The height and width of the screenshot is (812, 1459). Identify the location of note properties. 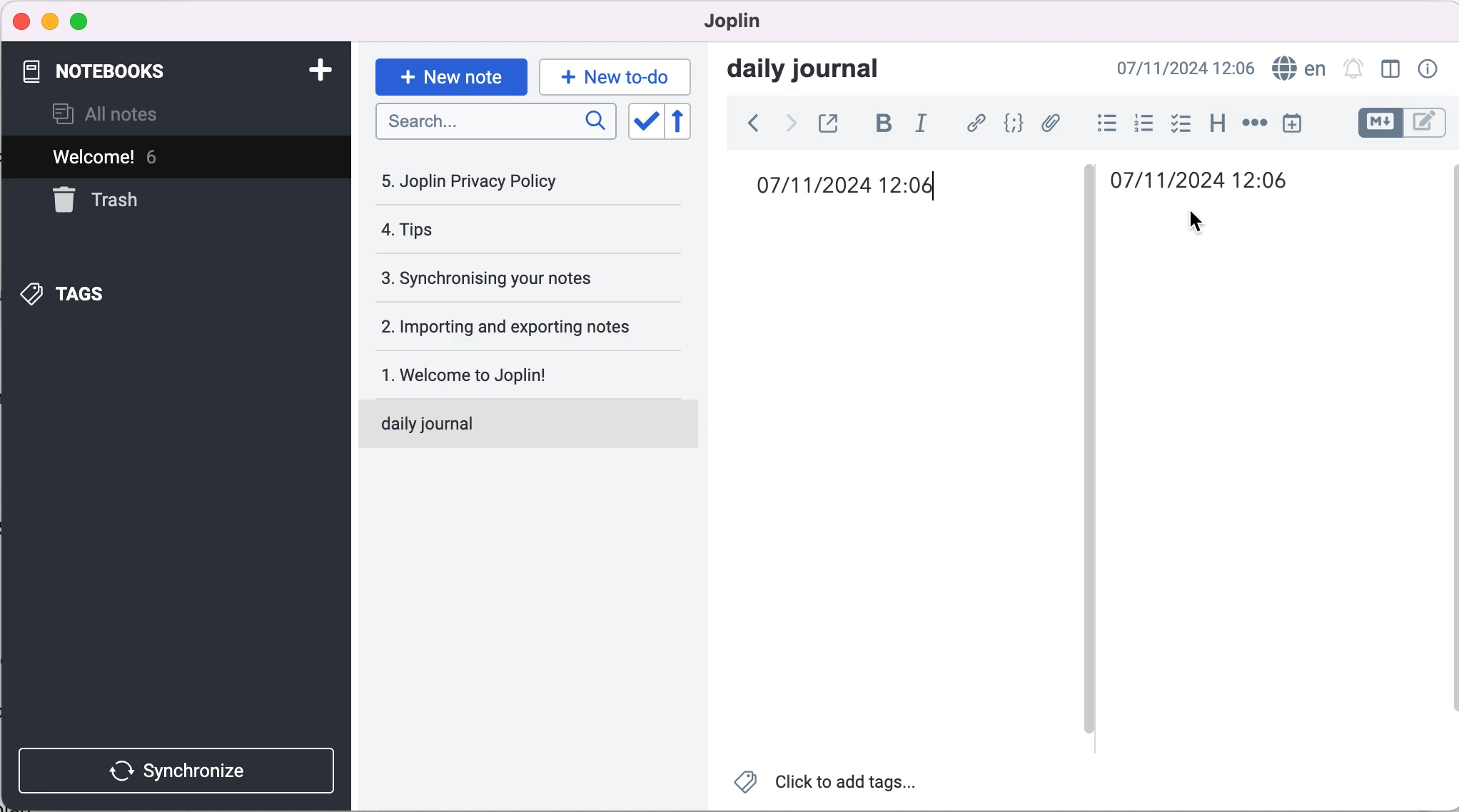
(1429, 71).